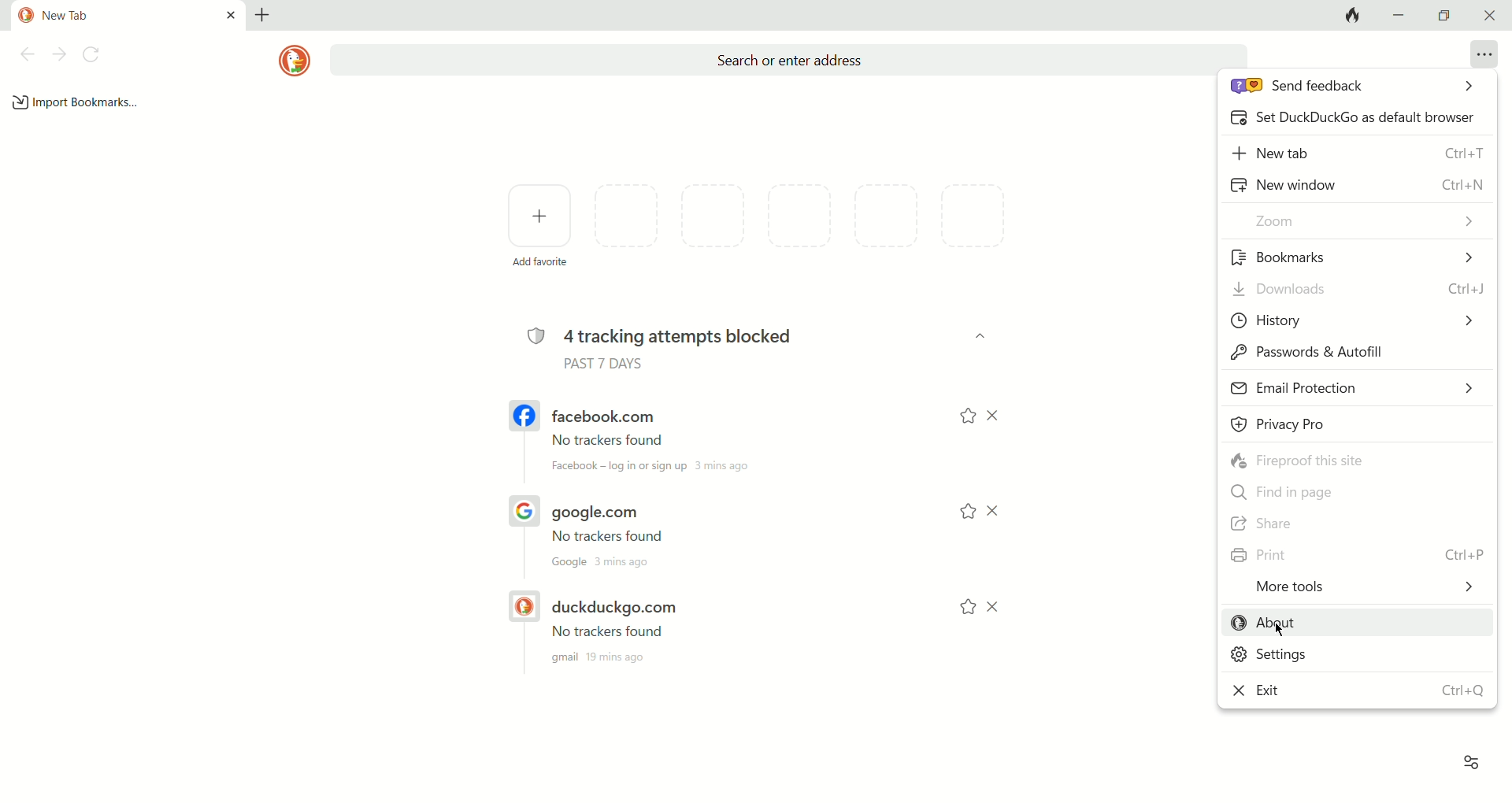 This screenshot has height=803, width=1512. I want to click on print, so click(1355, 557).